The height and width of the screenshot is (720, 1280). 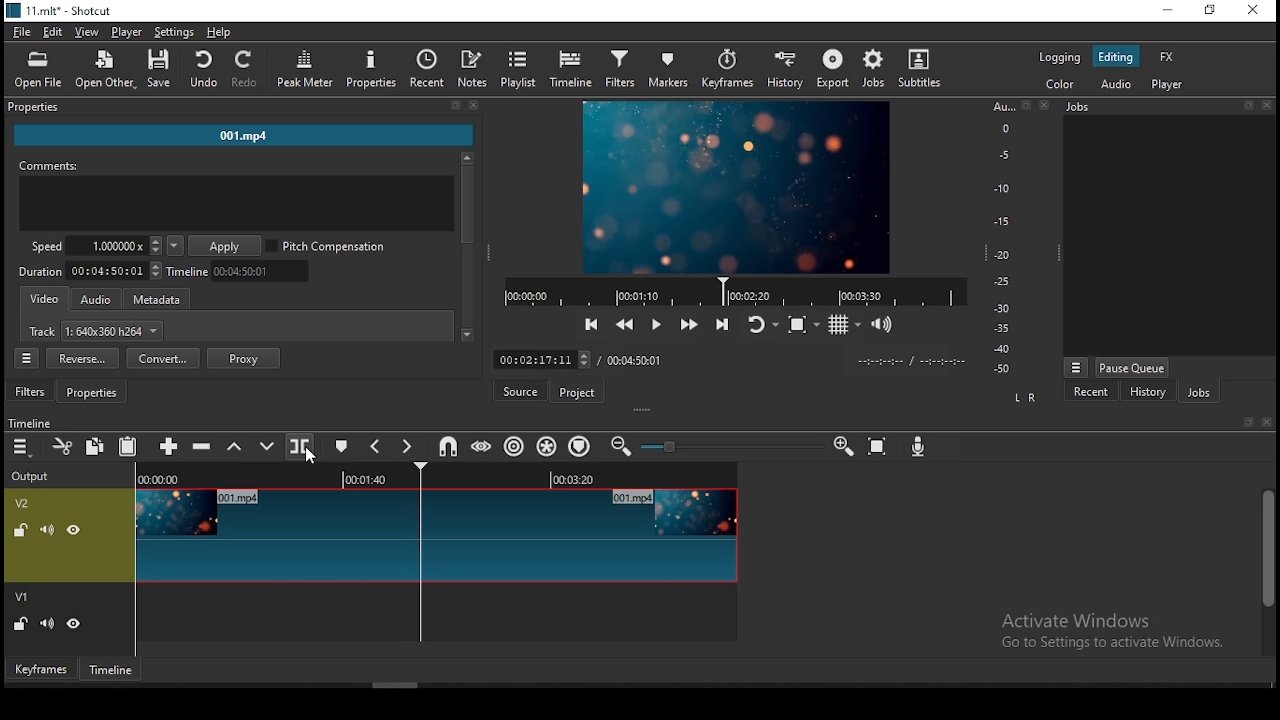 I want to click on filters, so click(x=32, y=392).